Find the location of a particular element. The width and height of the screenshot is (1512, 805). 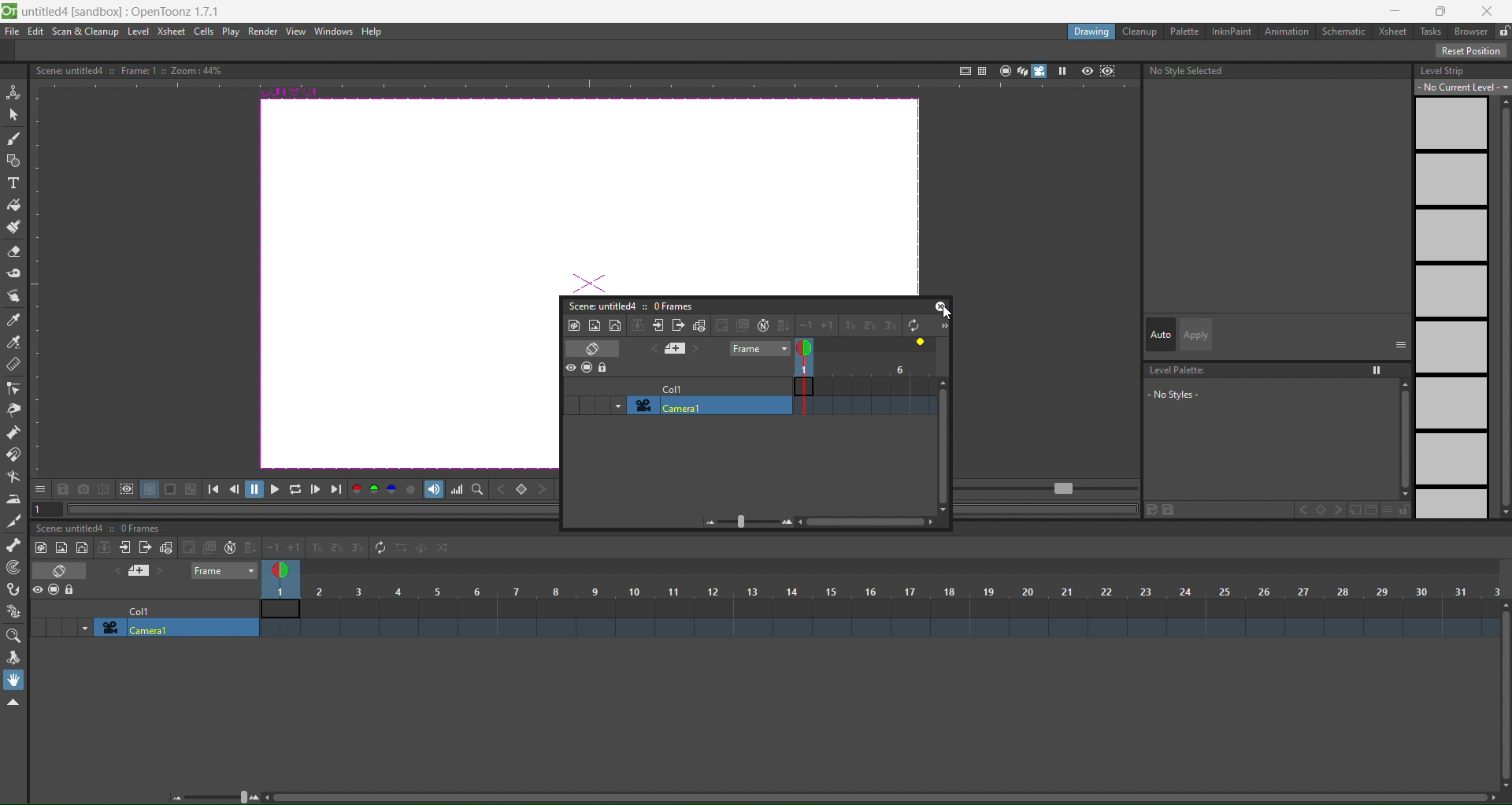

histogram is located at coordinates (458, 490).